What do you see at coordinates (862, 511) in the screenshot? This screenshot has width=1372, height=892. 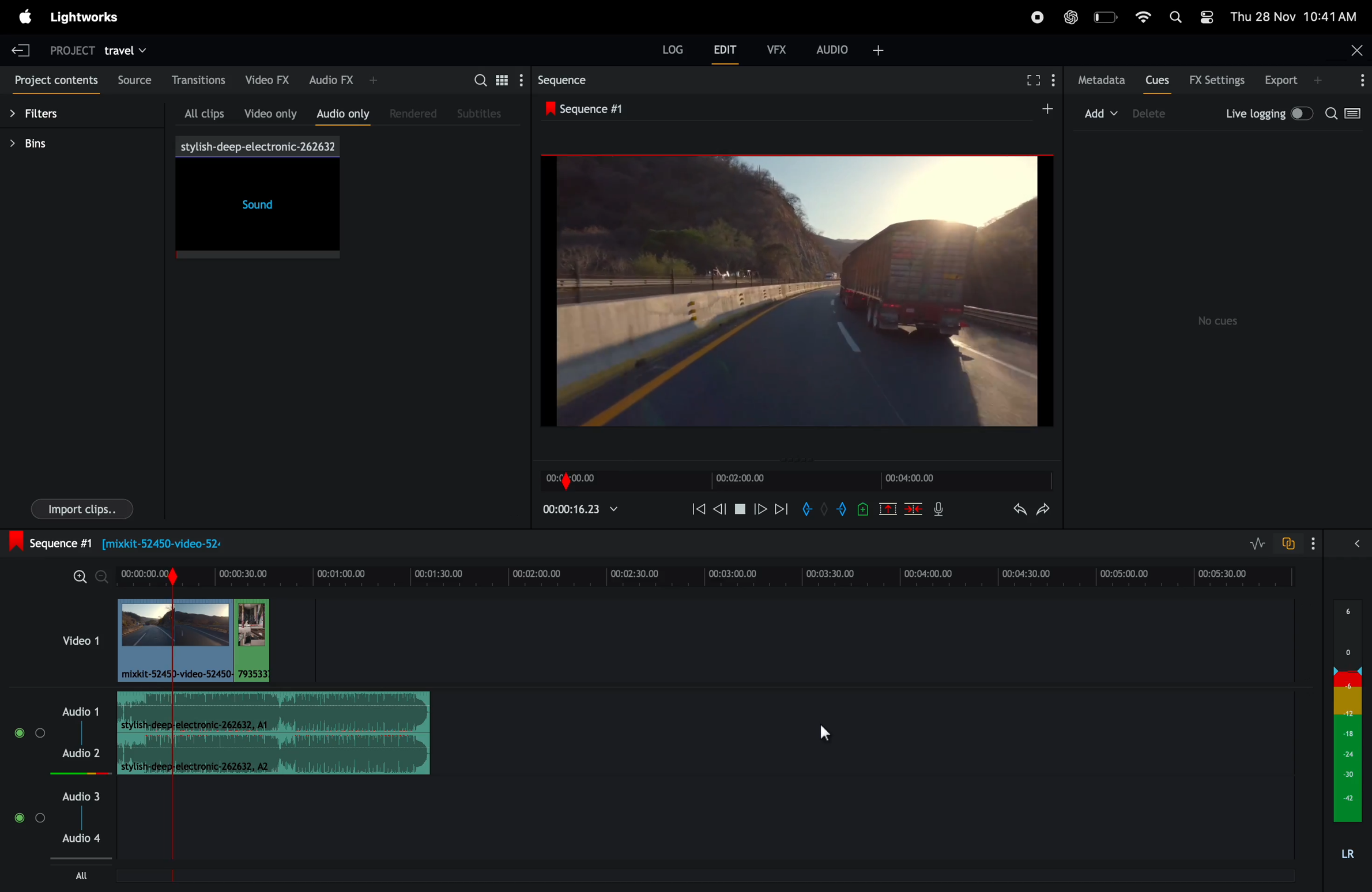 I see `add cue to position` at bounding box center [862, 511].